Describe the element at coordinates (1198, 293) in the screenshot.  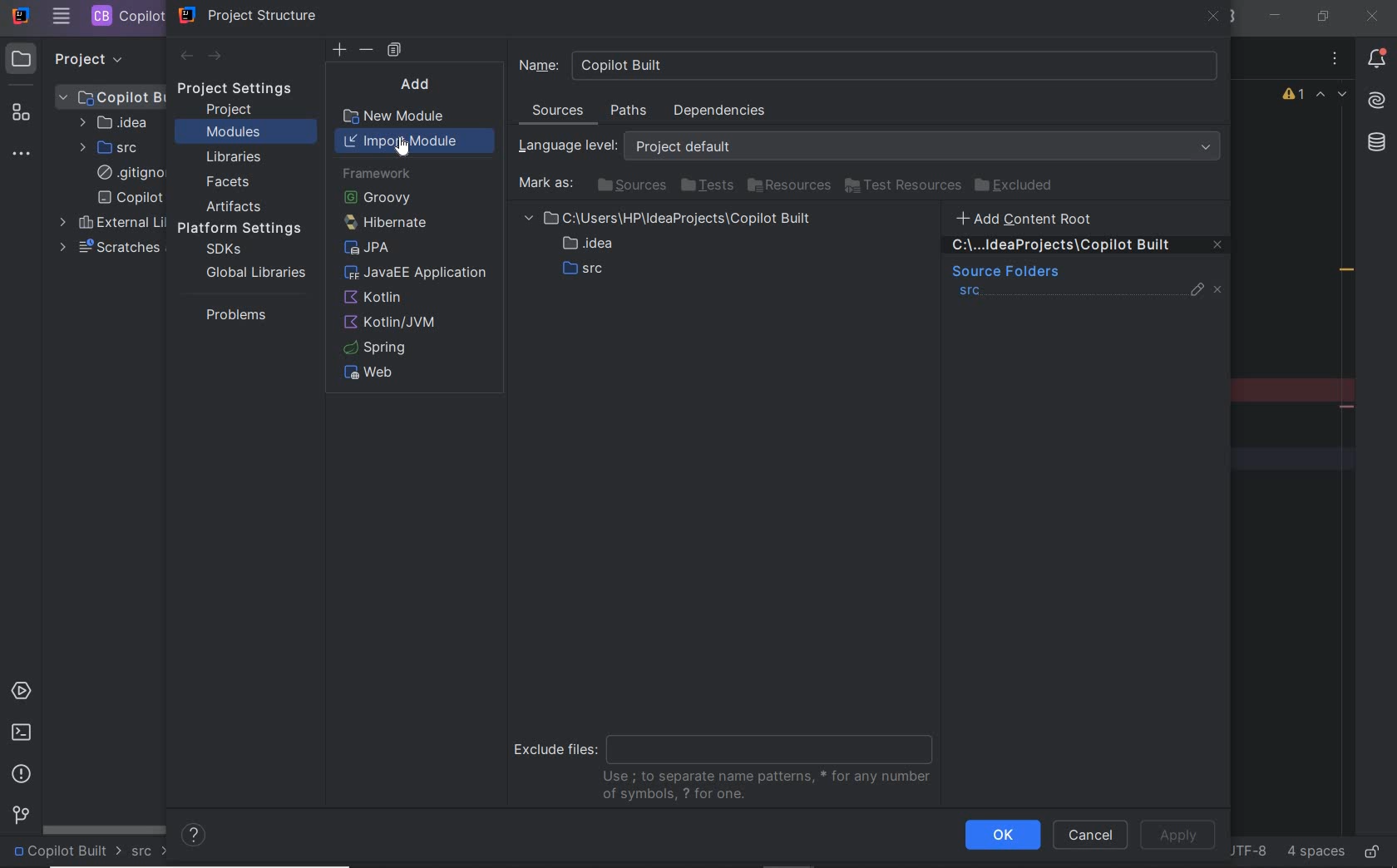
I see `edit properties` at that location.